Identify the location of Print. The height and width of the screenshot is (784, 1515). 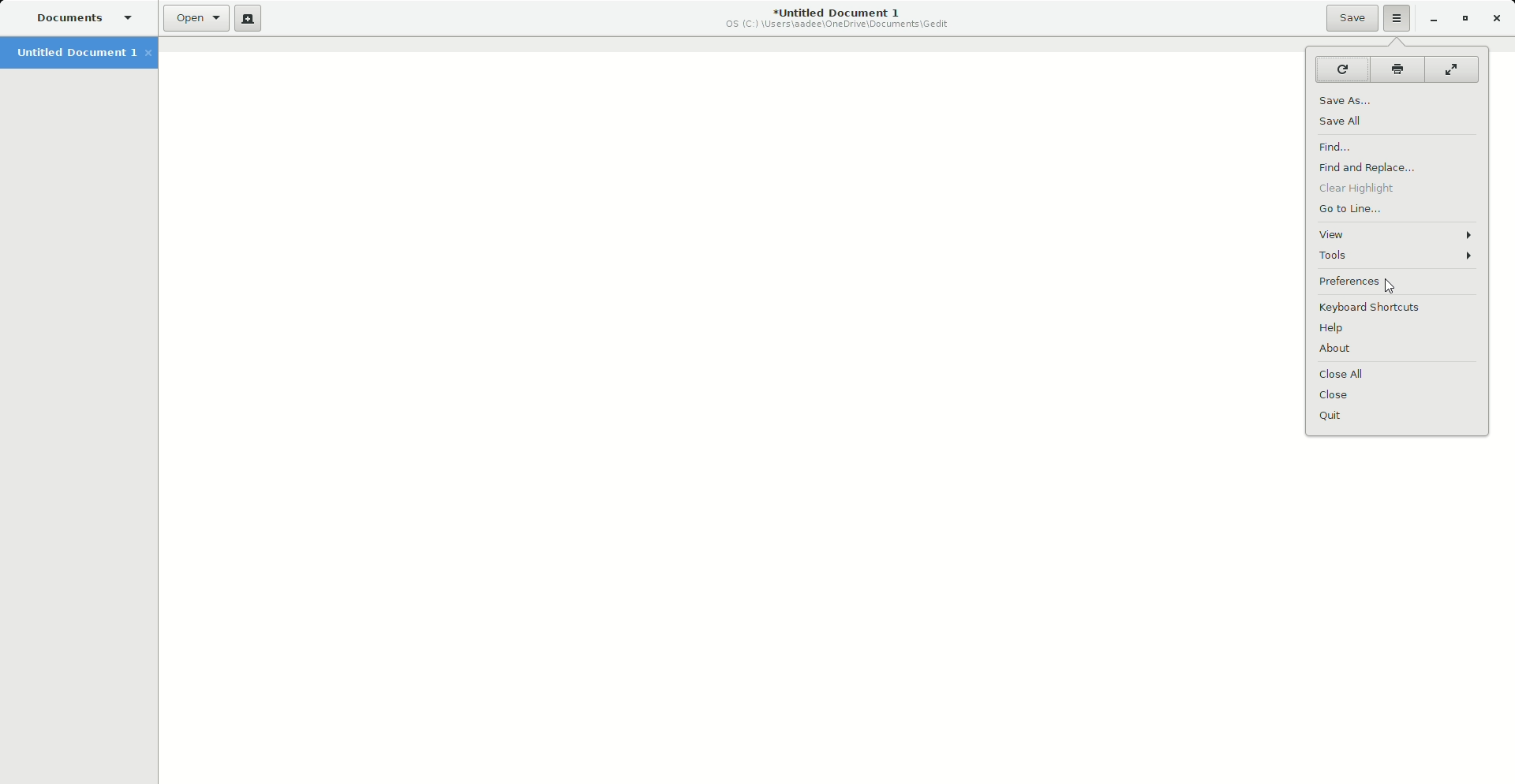
(1395, 69).